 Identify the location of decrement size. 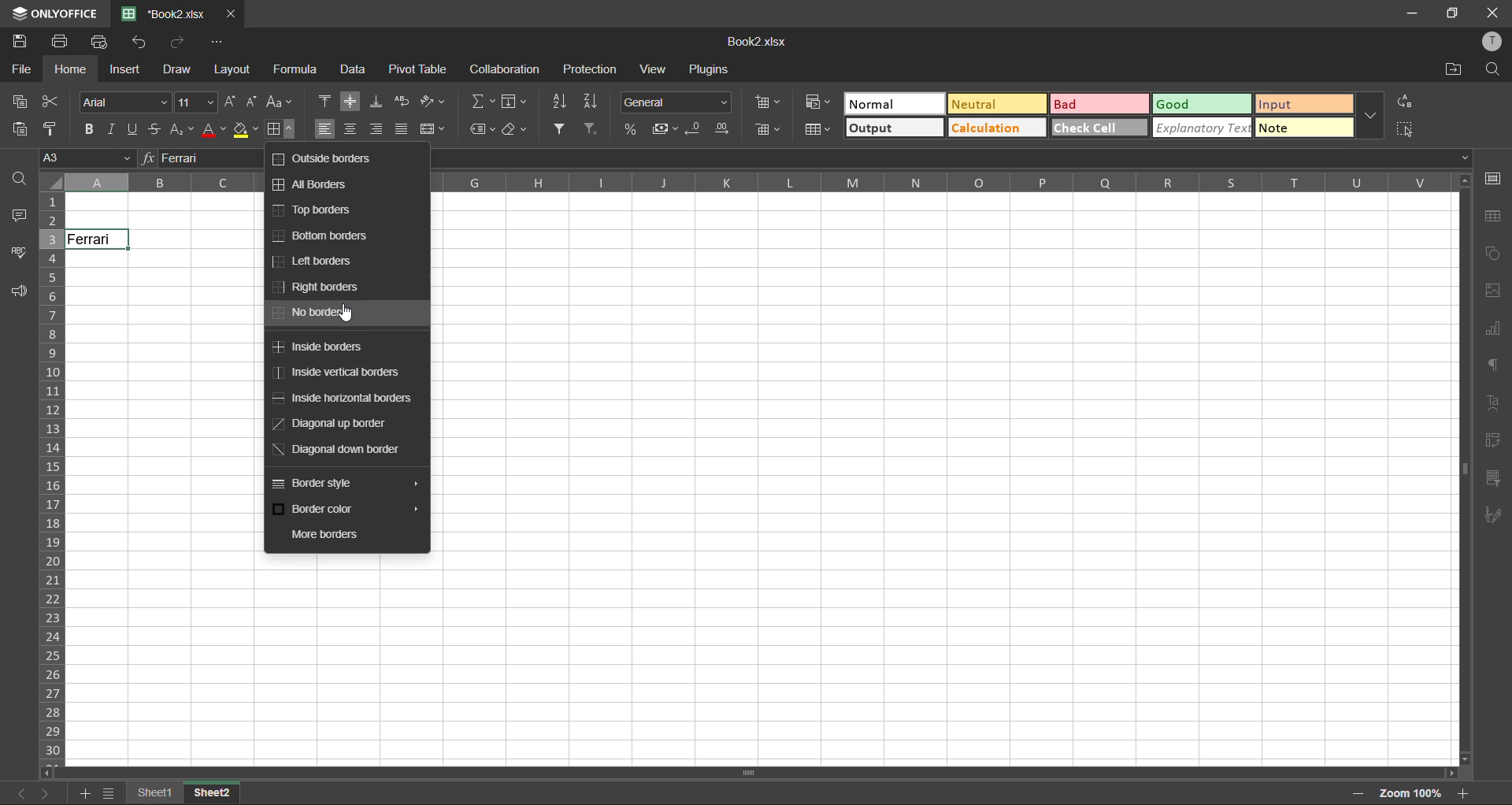
(252, 102).